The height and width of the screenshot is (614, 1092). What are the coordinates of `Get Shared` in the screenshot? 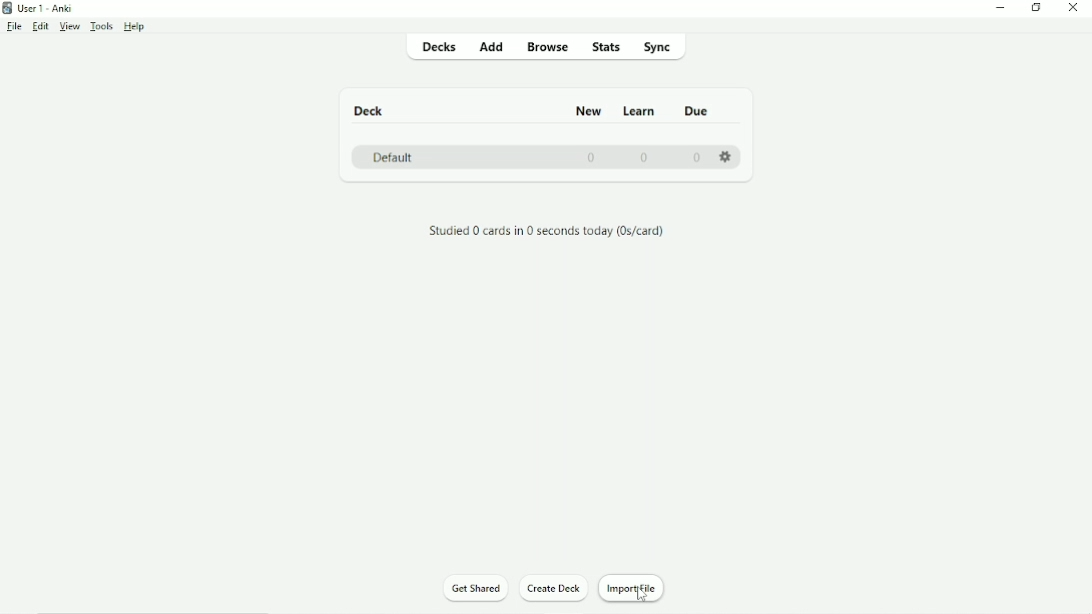 It's located at (474, 588).